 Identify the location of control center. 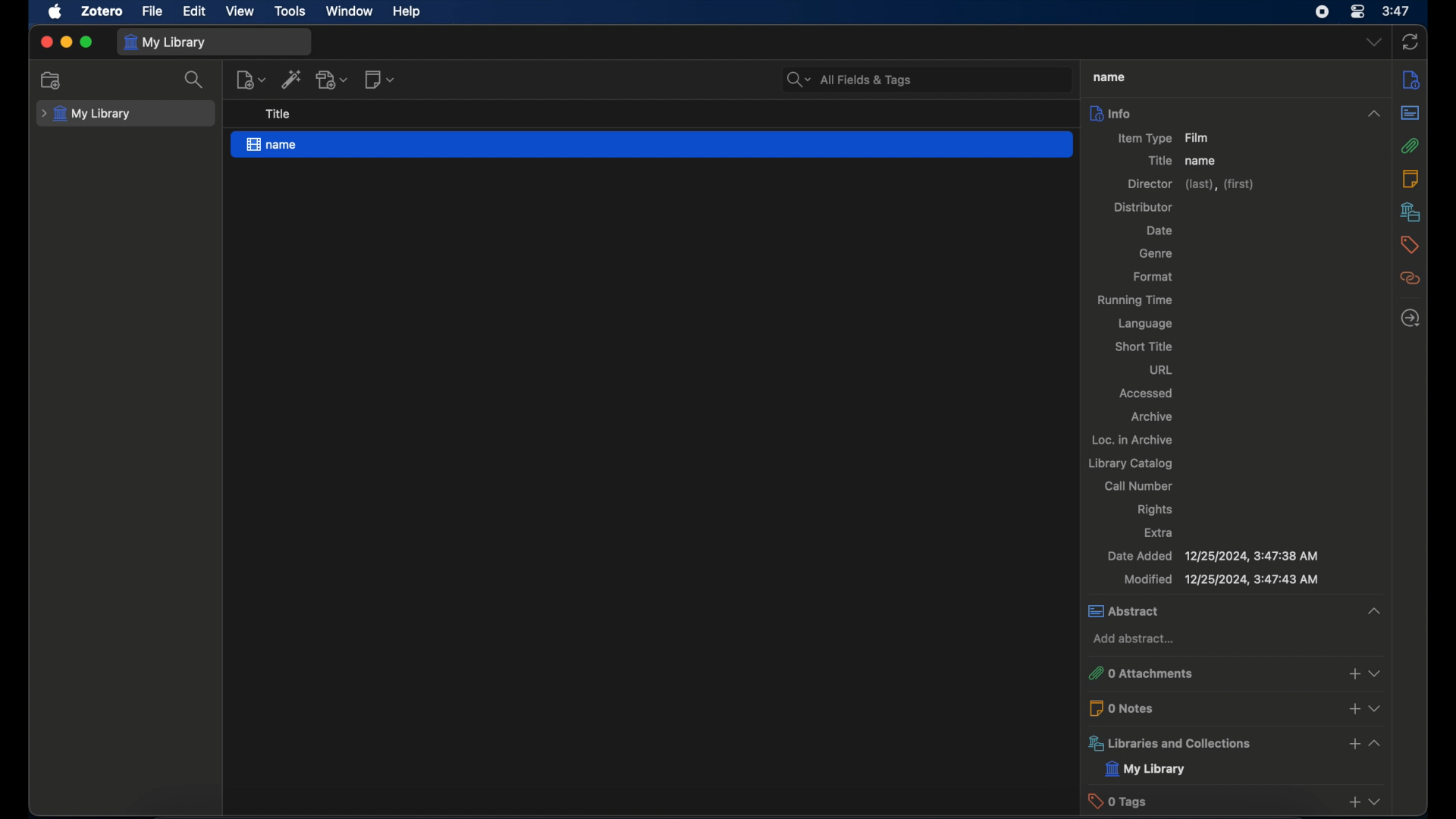
(1359, 12).